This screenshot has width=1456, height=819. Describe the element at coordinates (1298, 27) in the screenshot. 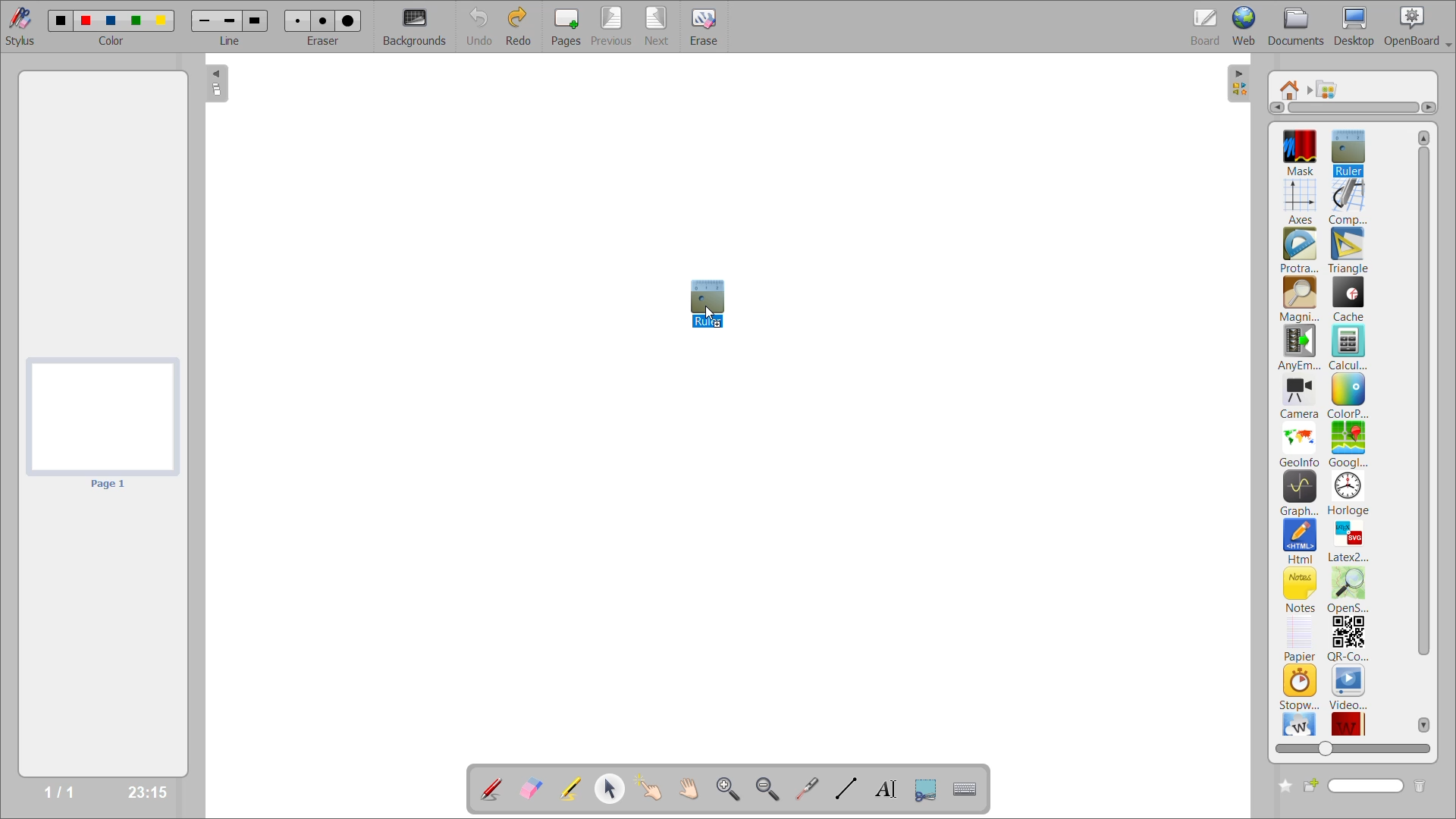

I see `documents` at that location.